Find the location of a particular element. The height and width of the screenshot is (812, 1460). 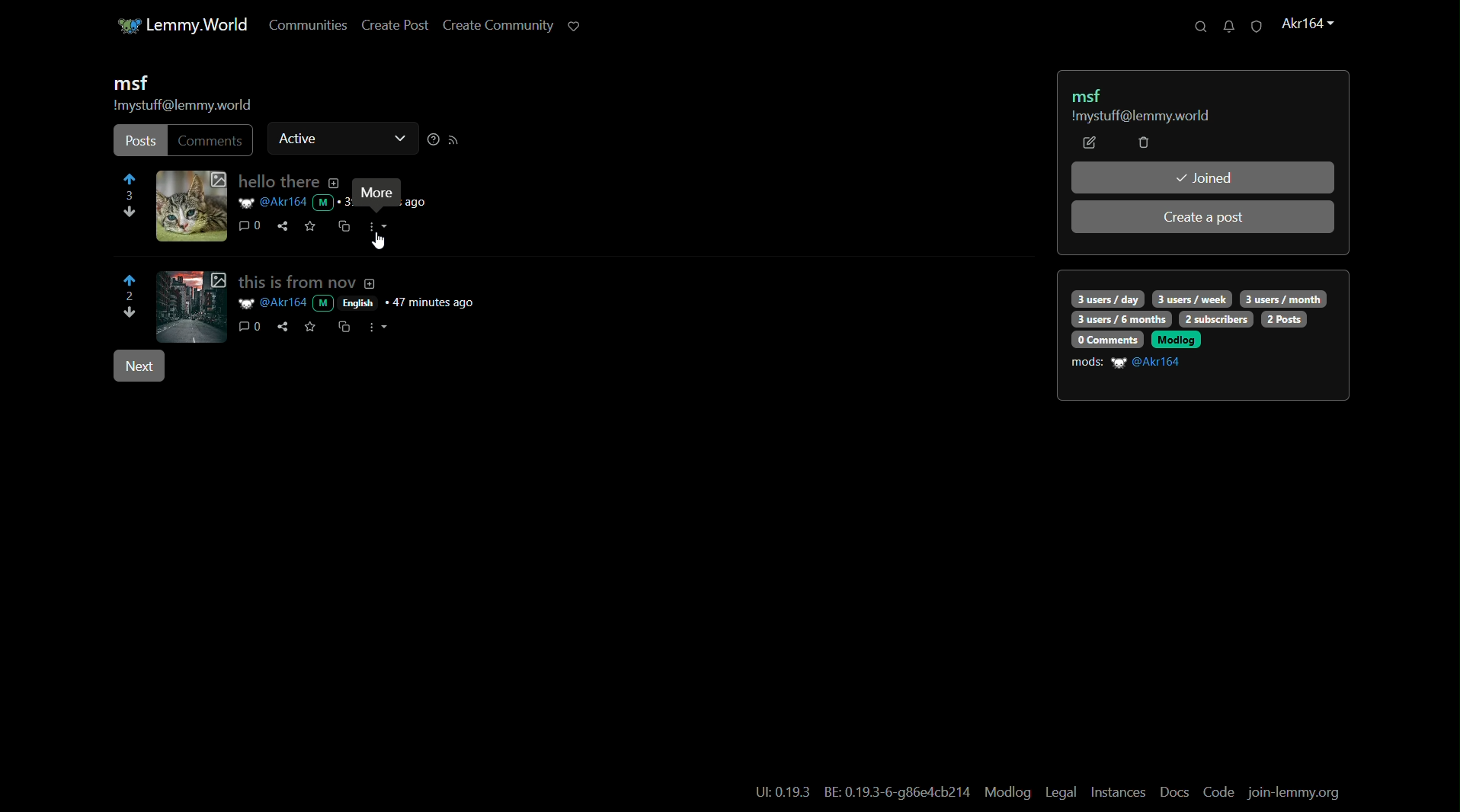

comments is located at coordinates (248, 327).